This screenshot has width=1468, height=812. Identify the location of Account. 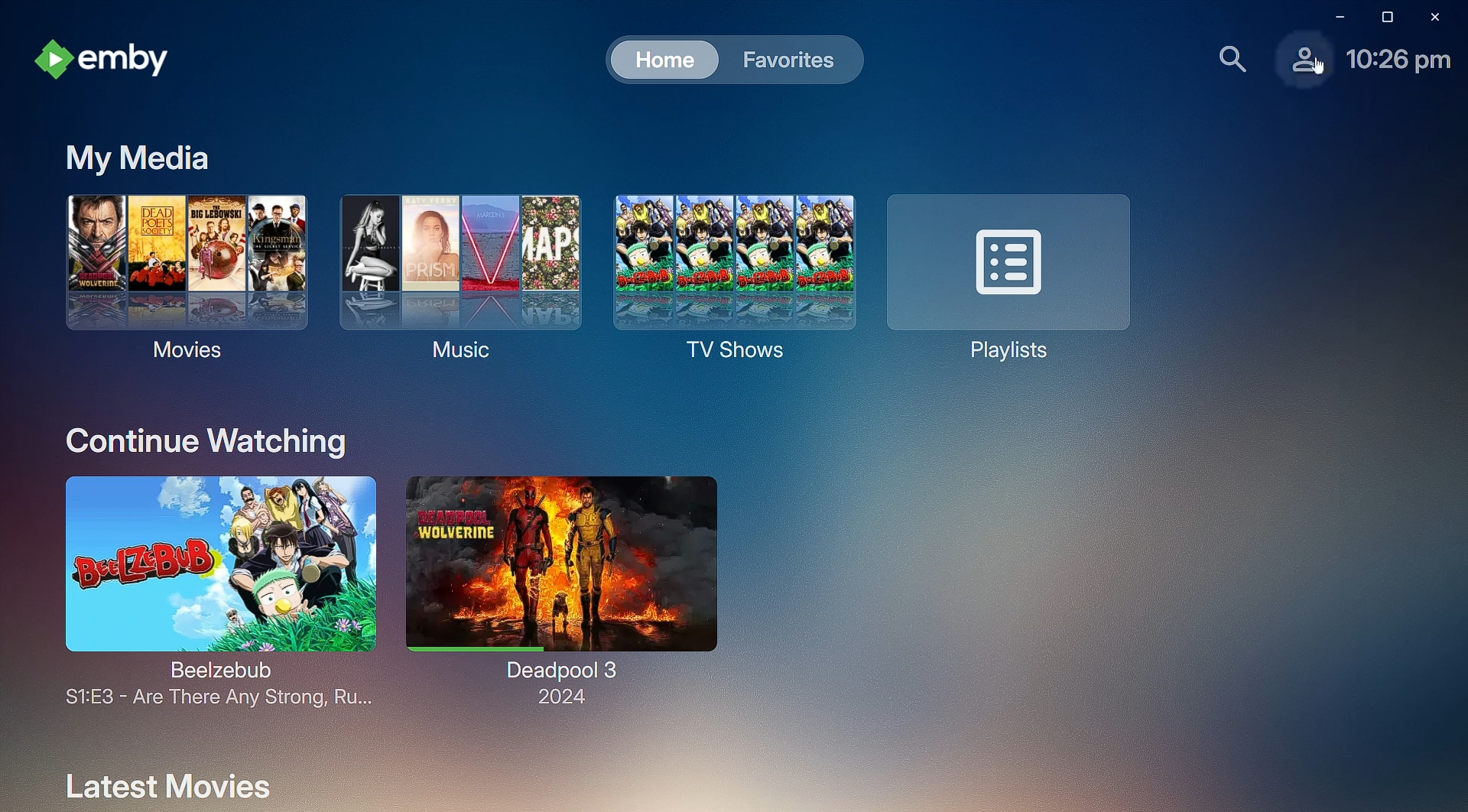
(1289, 64).